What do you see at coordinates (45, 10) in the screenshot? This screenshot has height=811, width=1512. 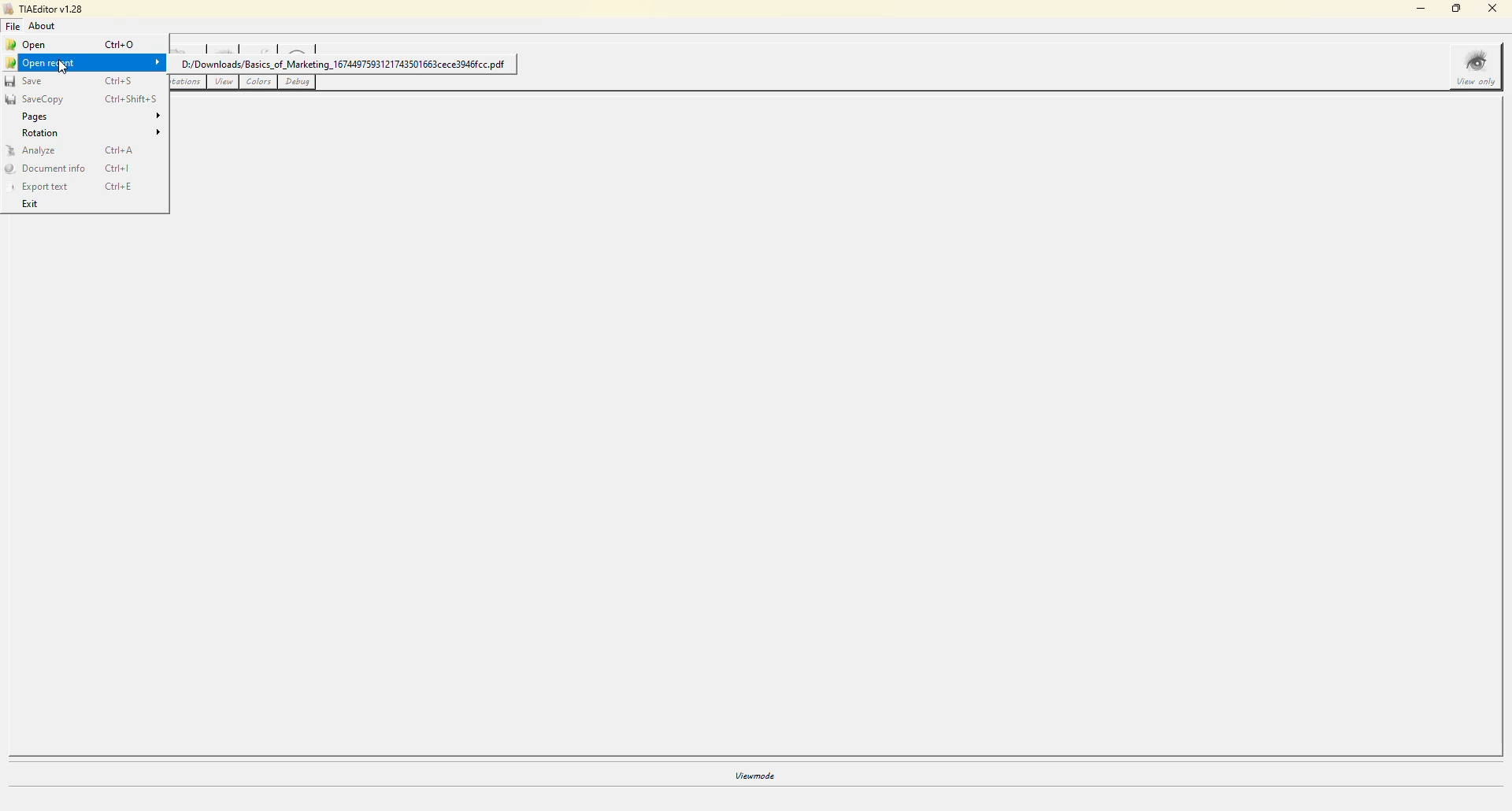 I see `tiaeditor` at bounding box center [45, 10].